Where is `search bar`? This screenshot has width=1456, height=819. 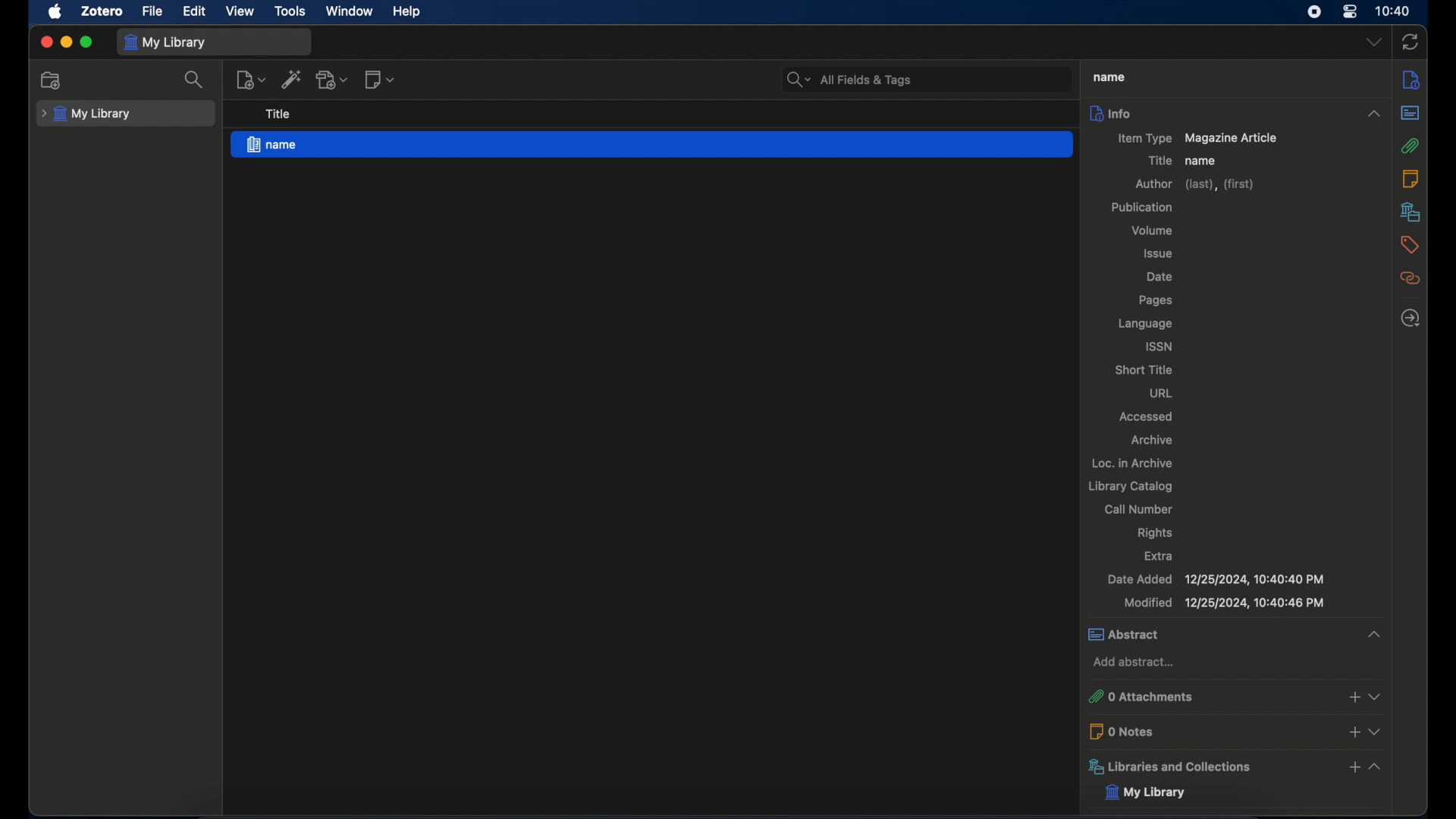 search bar is located at coordinates (849, 80).